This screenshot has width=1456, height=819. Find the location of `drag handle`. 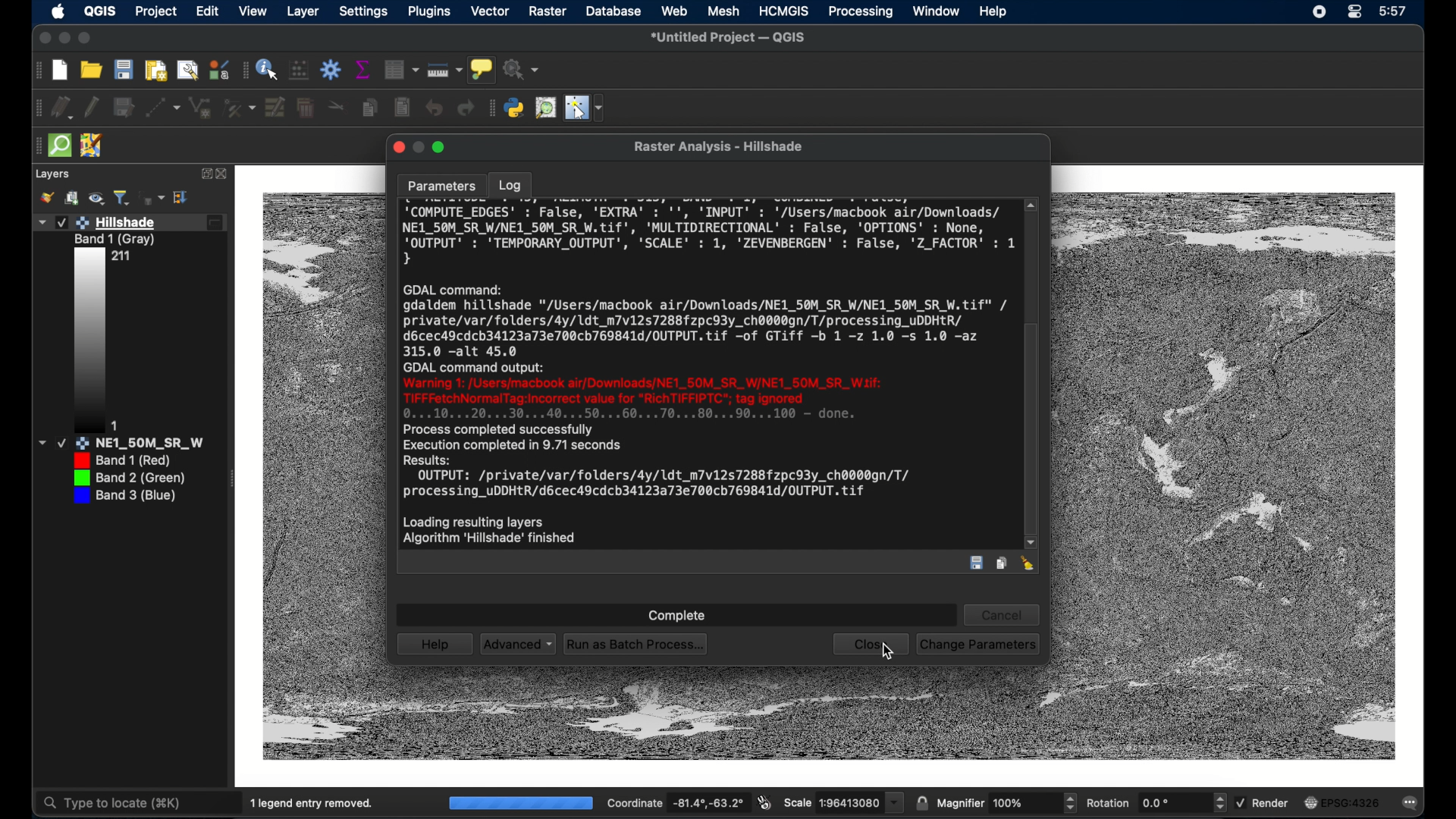

drag handle is located at coordinates (491, 108).